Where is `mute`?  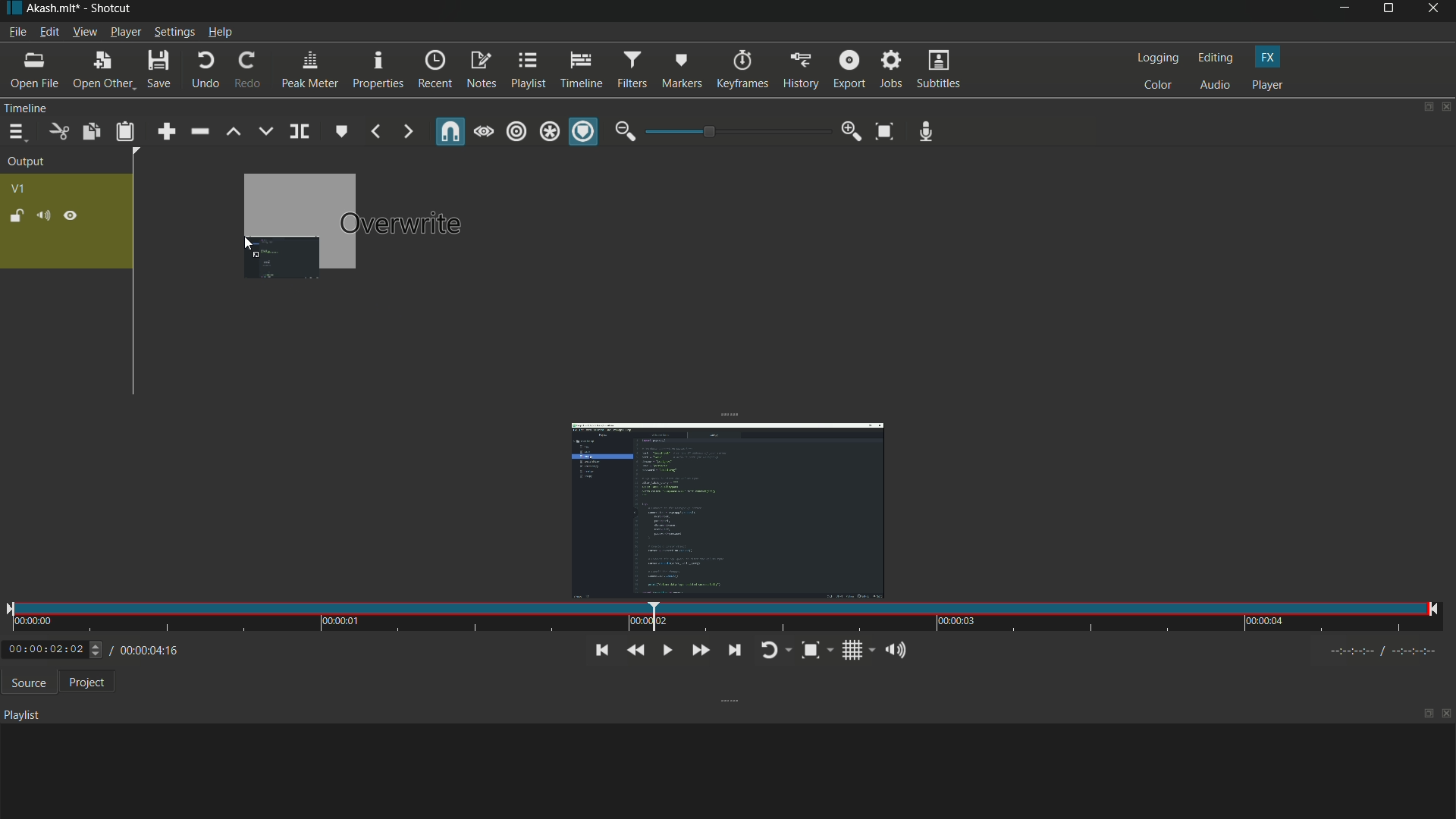 mute is located at coordinates (42, 215).